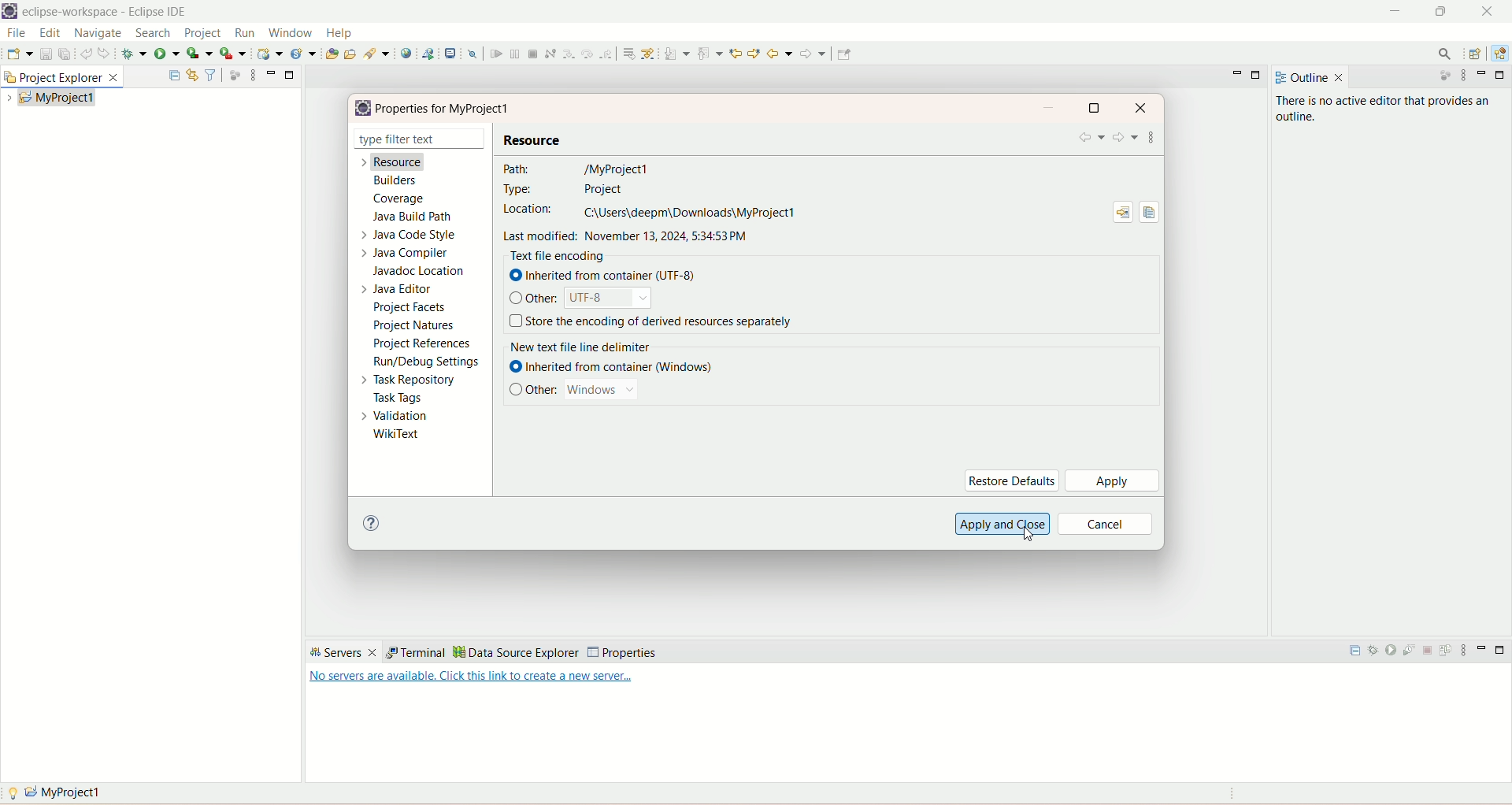  Describe the element at coordinates (447, 109) in the screenshot. I see `properties` at that location.